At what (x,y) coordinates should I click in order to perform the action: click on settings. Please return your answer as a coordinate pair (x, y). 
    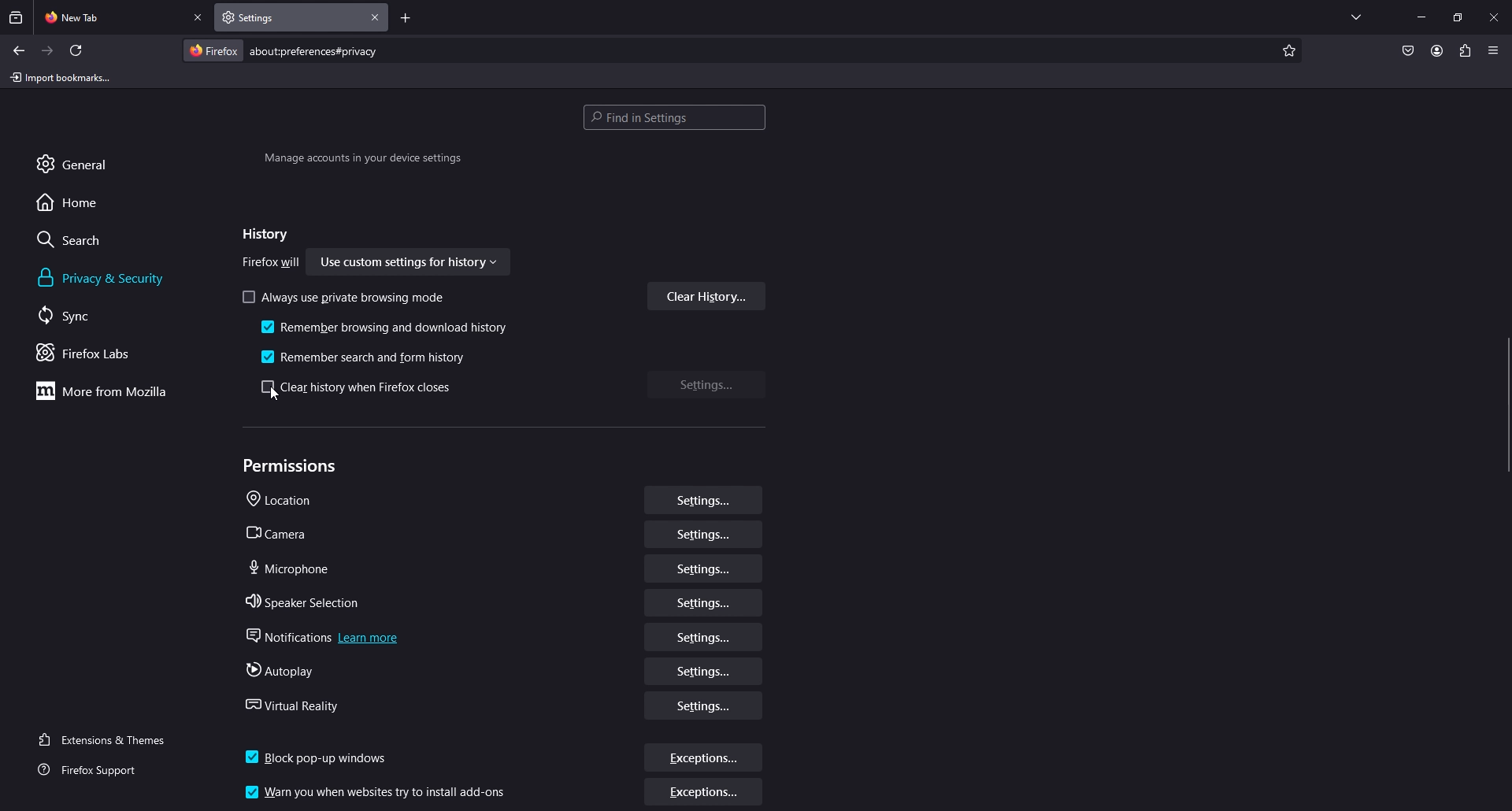
    Looking at the image, I should click on (706, 707).